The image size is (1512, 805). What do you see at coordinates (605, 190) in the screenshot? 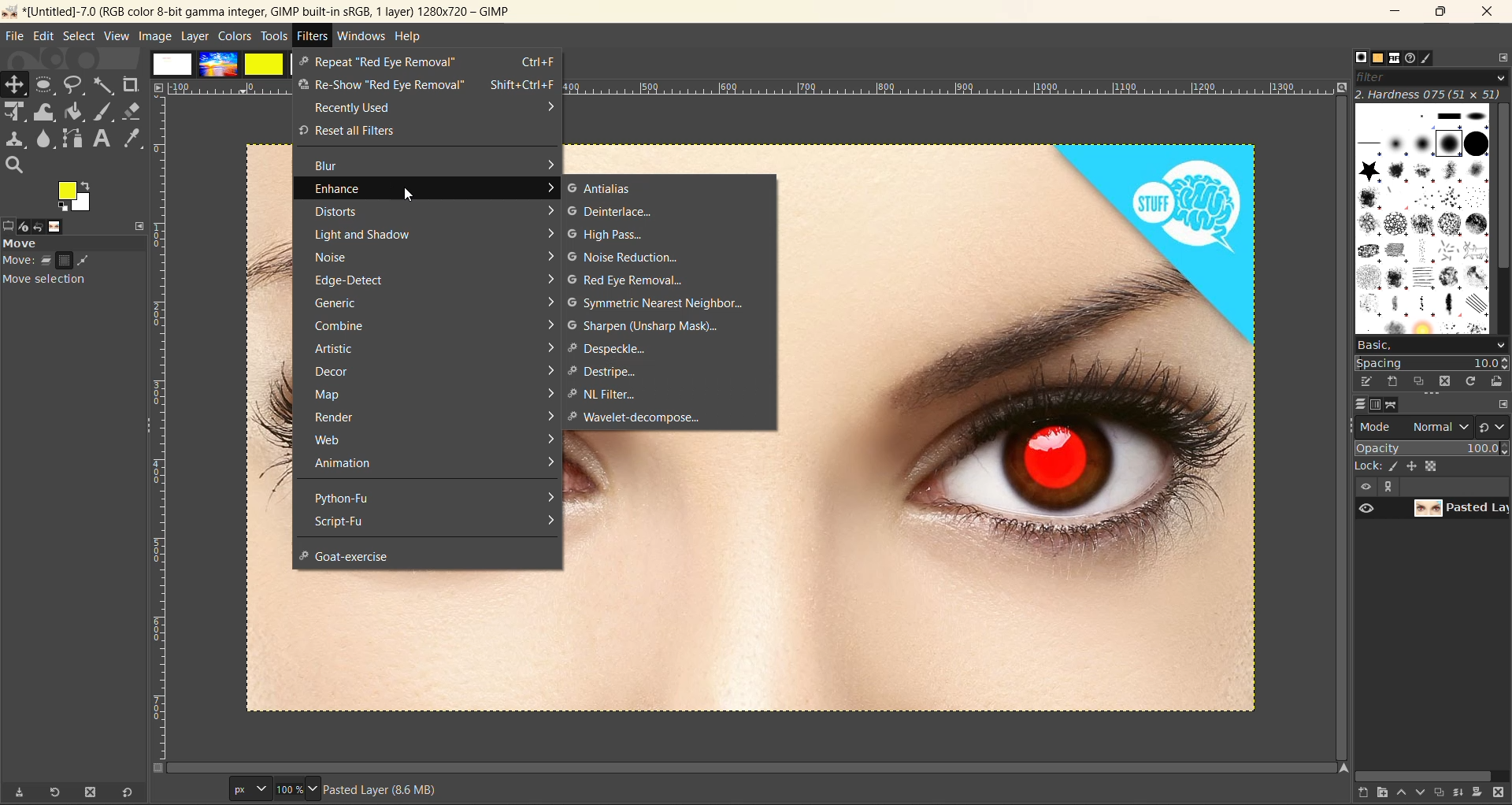
I see `antialias` at bounding box center [605, 190].